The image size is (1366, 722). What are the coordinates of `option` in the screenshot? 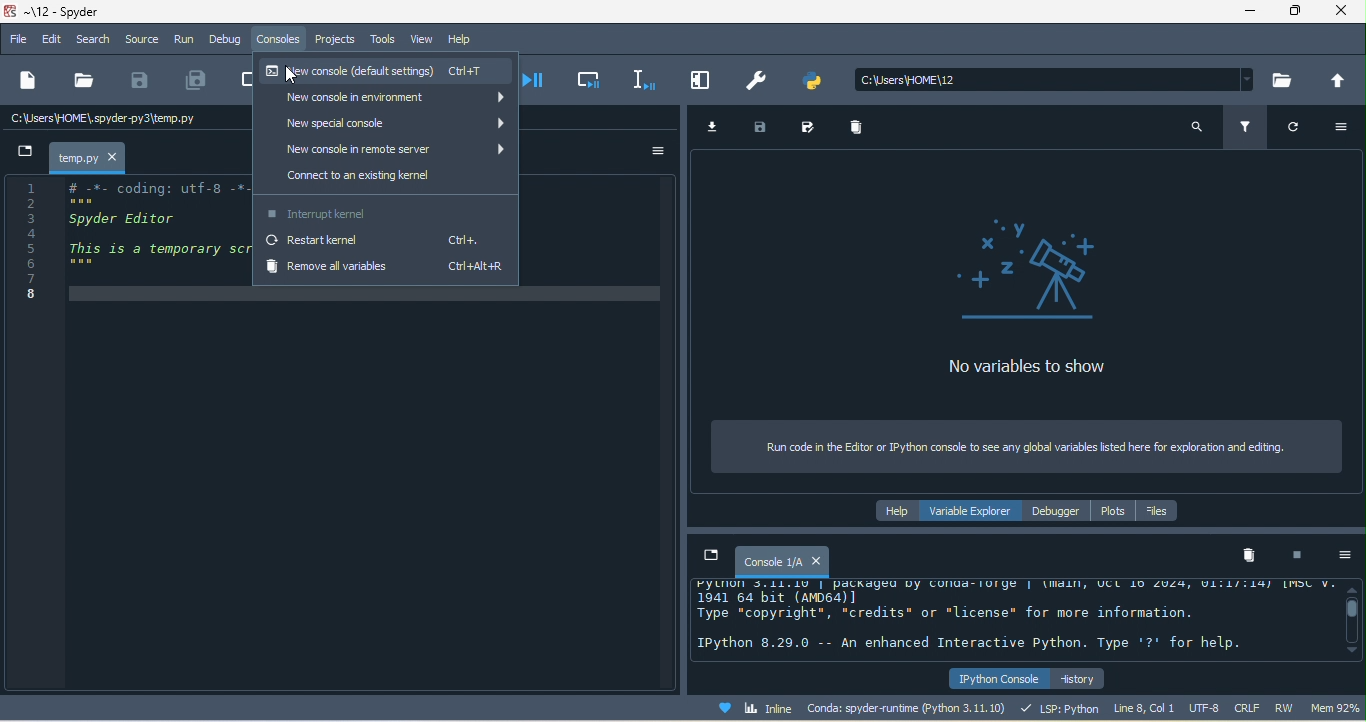 It's located at (1346, 128).